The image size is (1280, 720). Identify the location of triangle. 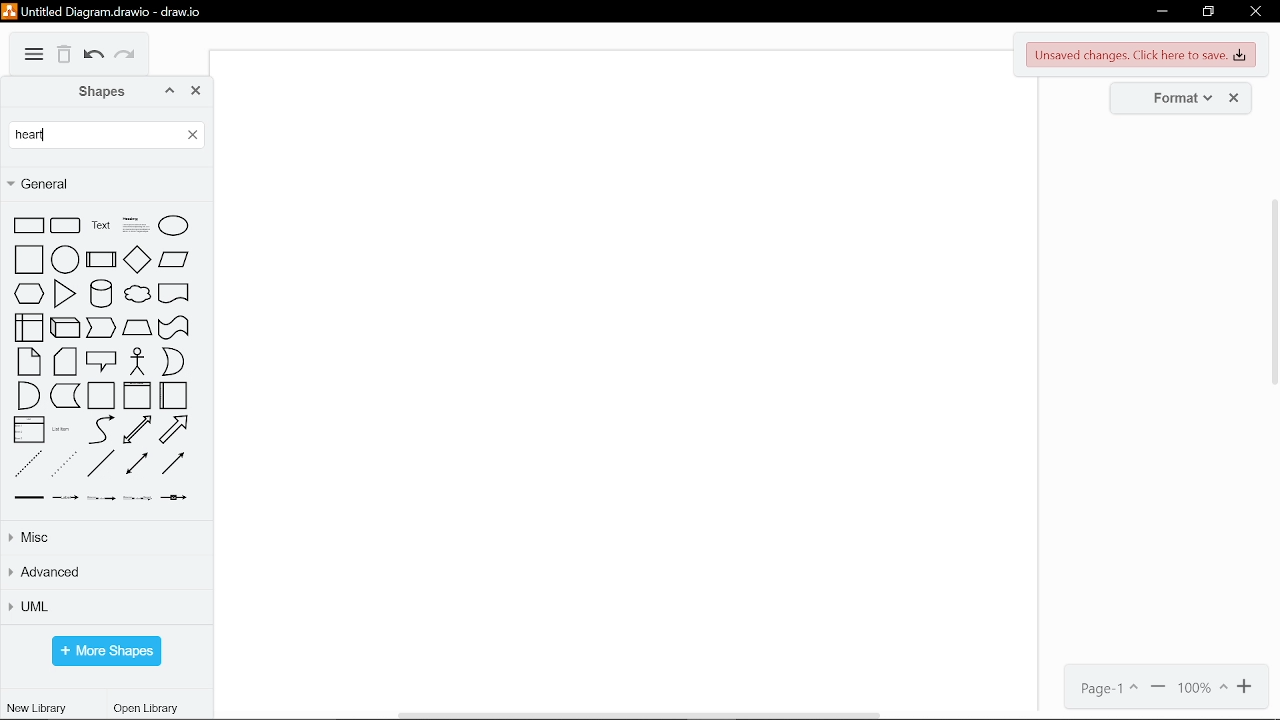
(64, 295).